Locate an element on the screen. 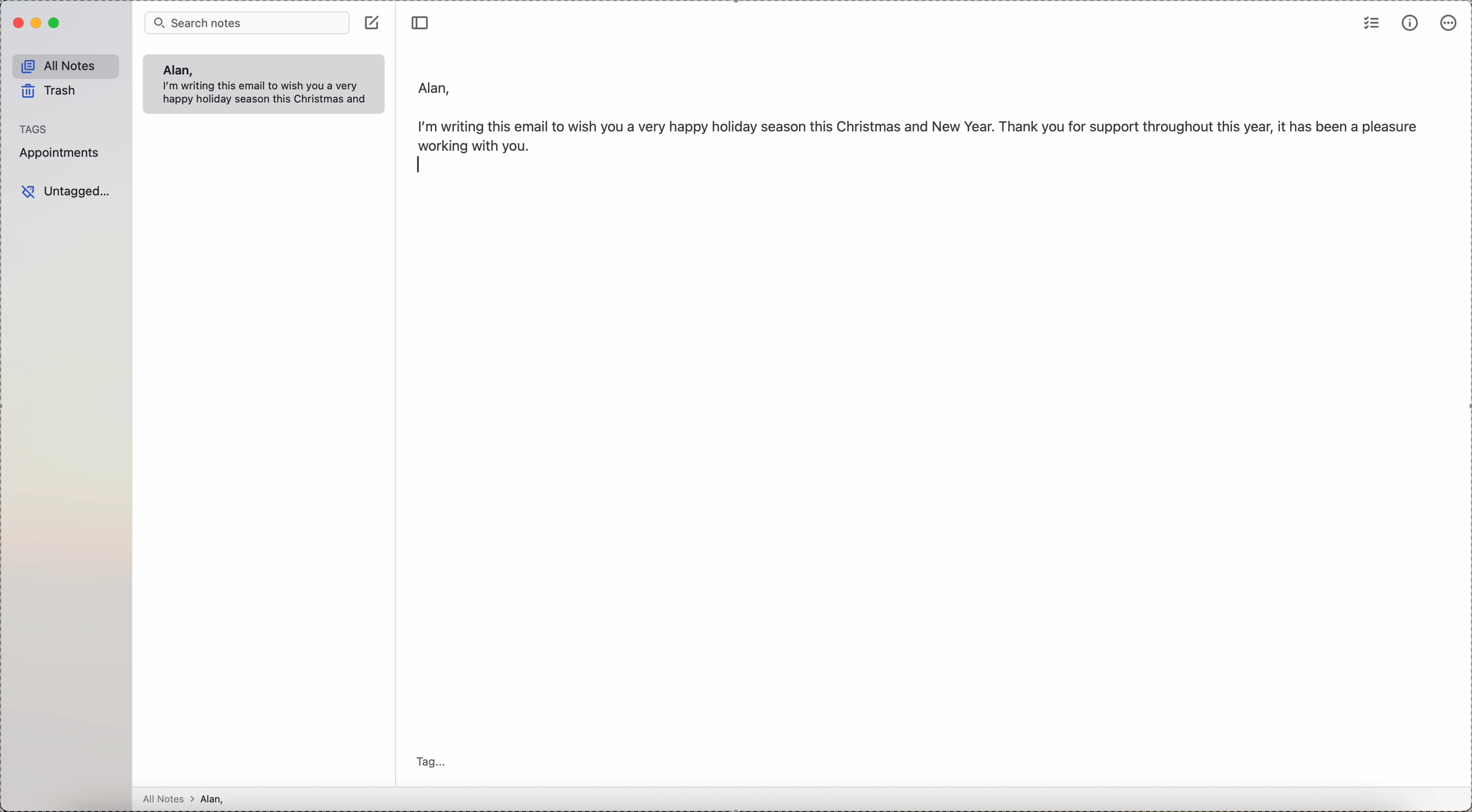 Image resolution: width=1472 pixels, height=812 pixels. metrics is located at coordinates (1410, 23).